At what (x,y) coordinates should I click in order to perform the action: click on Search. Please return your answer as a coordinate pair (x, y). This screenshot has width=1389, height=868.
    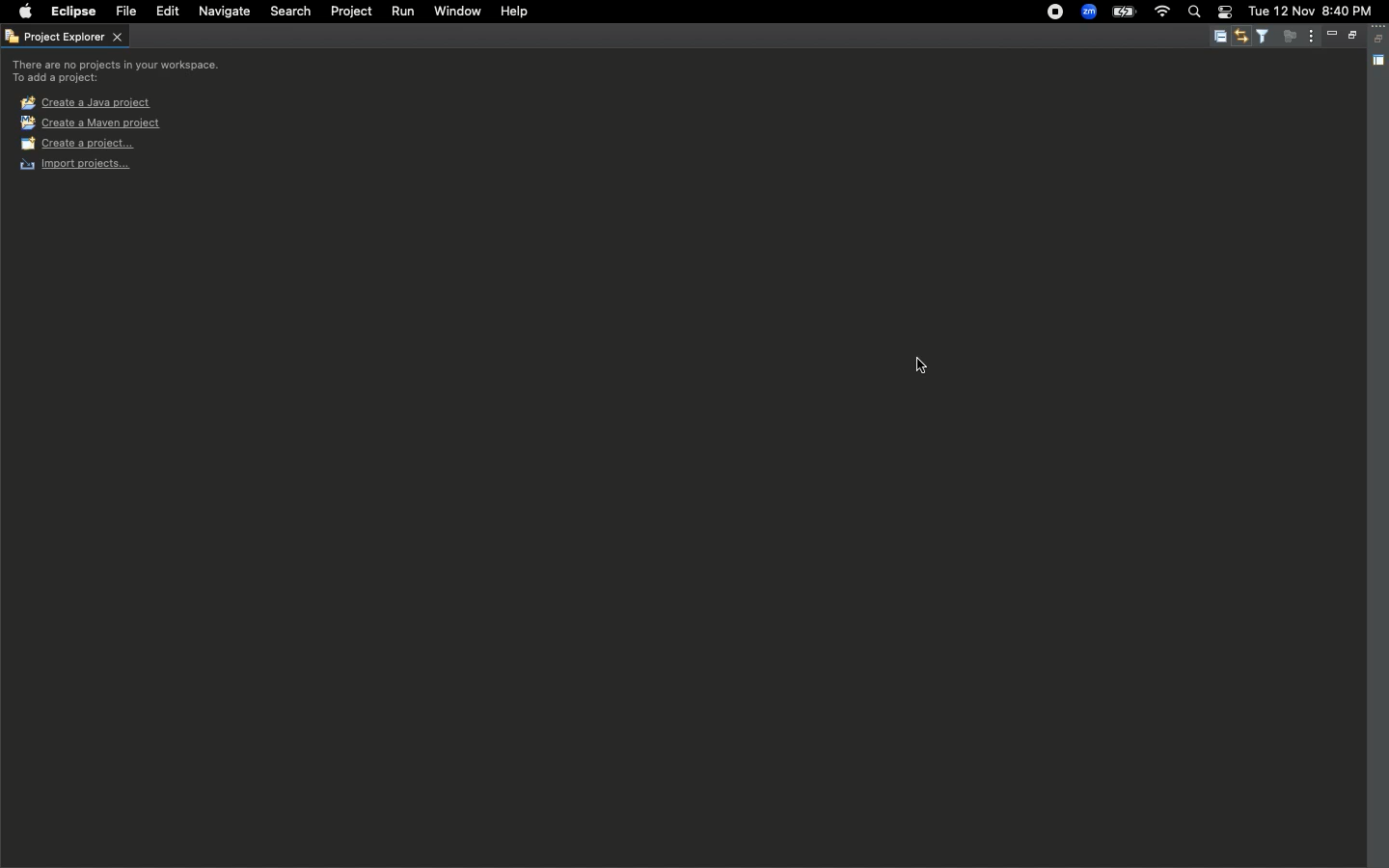
    Looking at the image, I should click on (1194, 14).